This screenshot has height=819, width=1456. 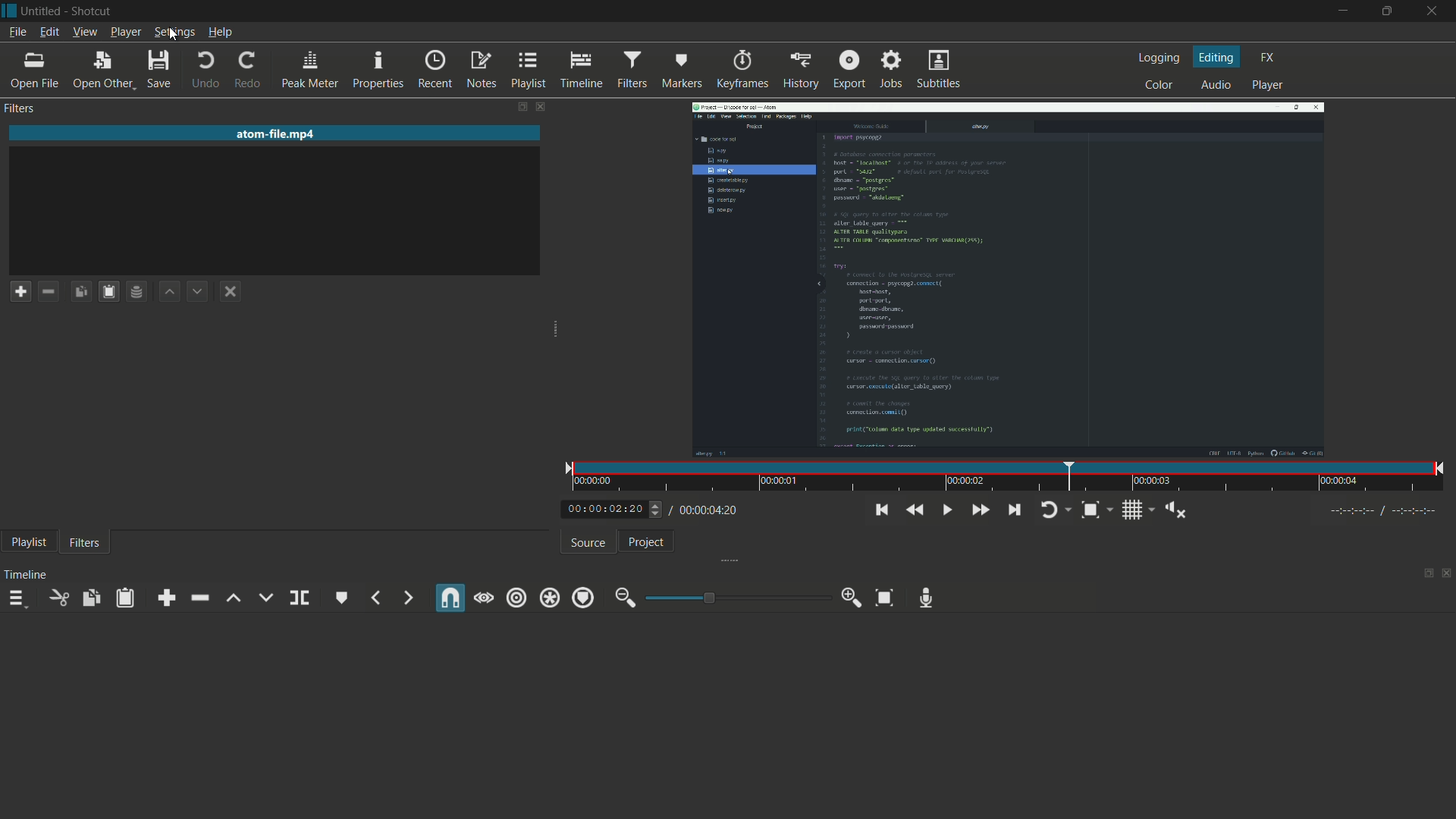 What do you see at coordinates (645, 541) in the screenshot?
I see `project` at bounding box center [645, 541].